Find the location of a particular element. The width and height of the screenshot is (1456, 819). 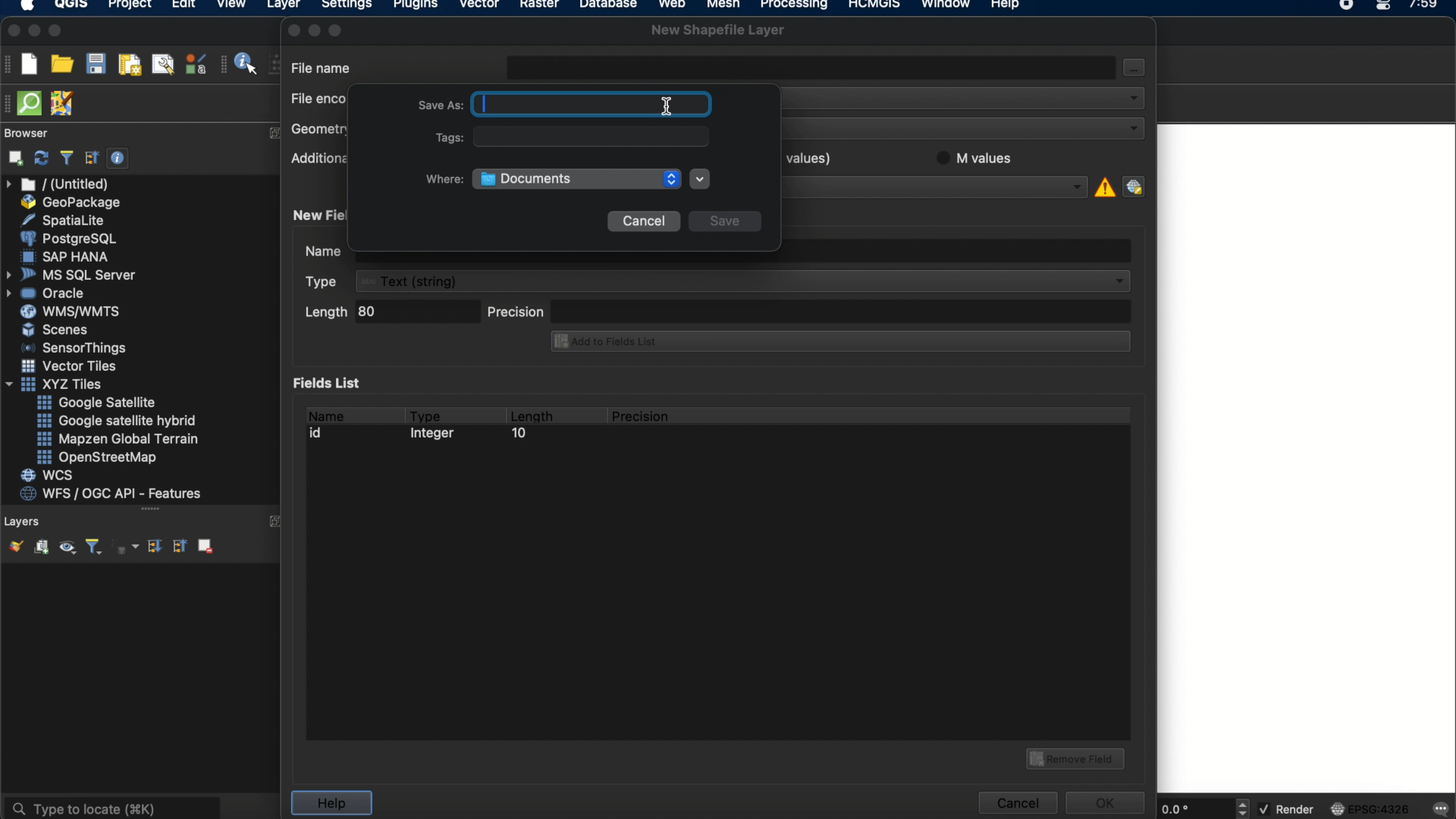

tags is located at coordinates (570, 138).